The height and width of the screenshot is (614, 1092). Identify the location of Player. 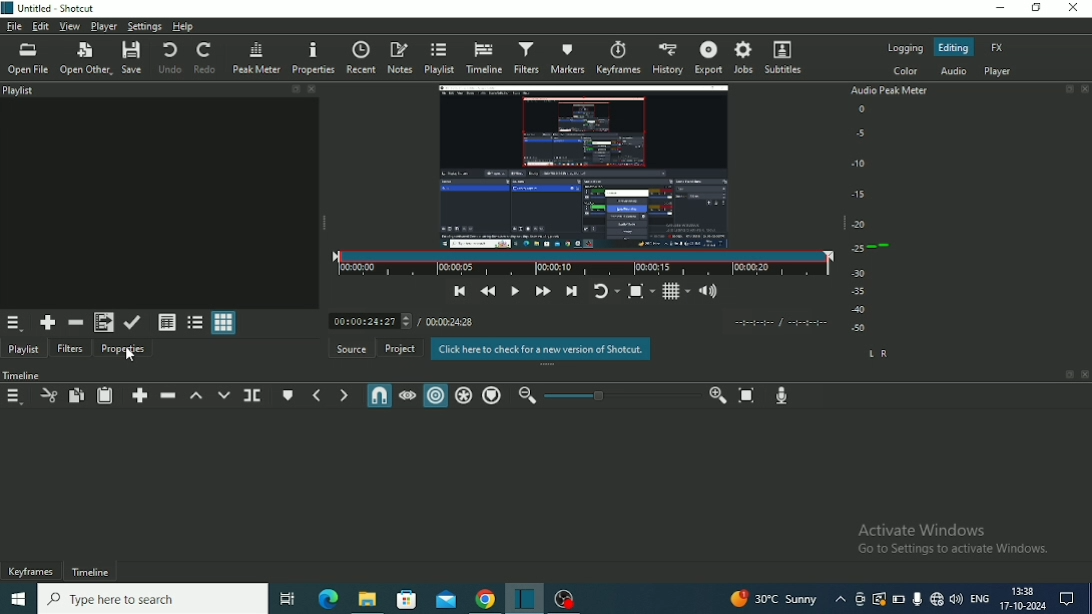
(997, 71).